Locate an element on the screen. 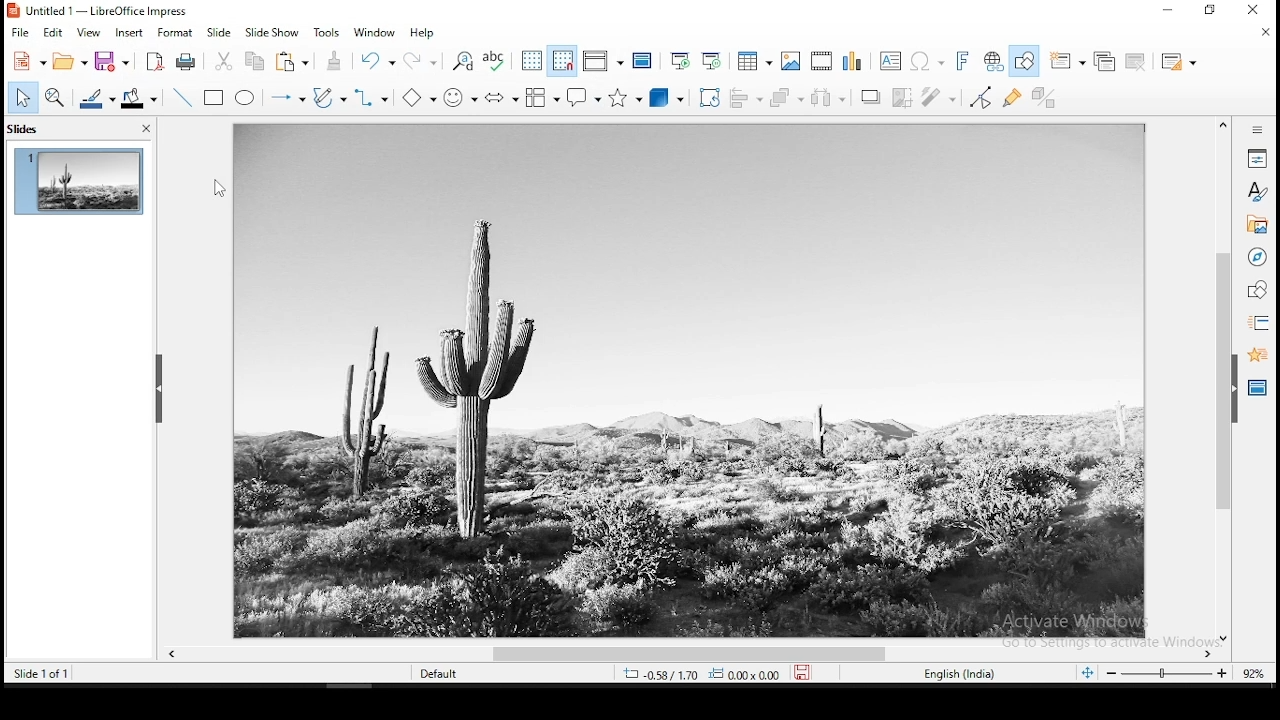 The height and width of the screenshot is (720, 1280). undo is located at coordinates (379, 63).